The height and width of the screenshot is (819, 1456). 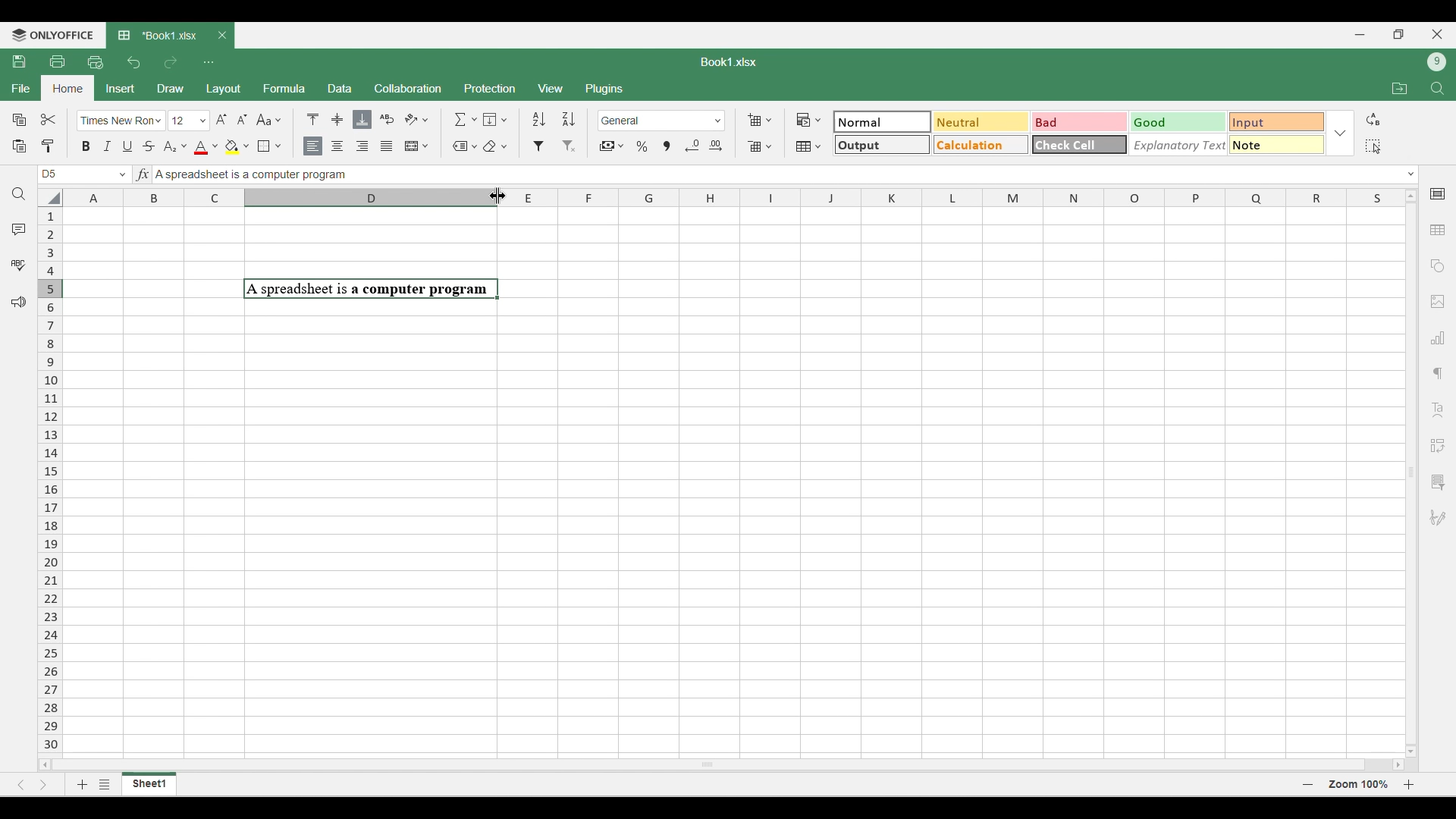 What do you see at coordinates (554, 146) in the screenshot?
I see `Filter options` at bounding box center [554, 146].